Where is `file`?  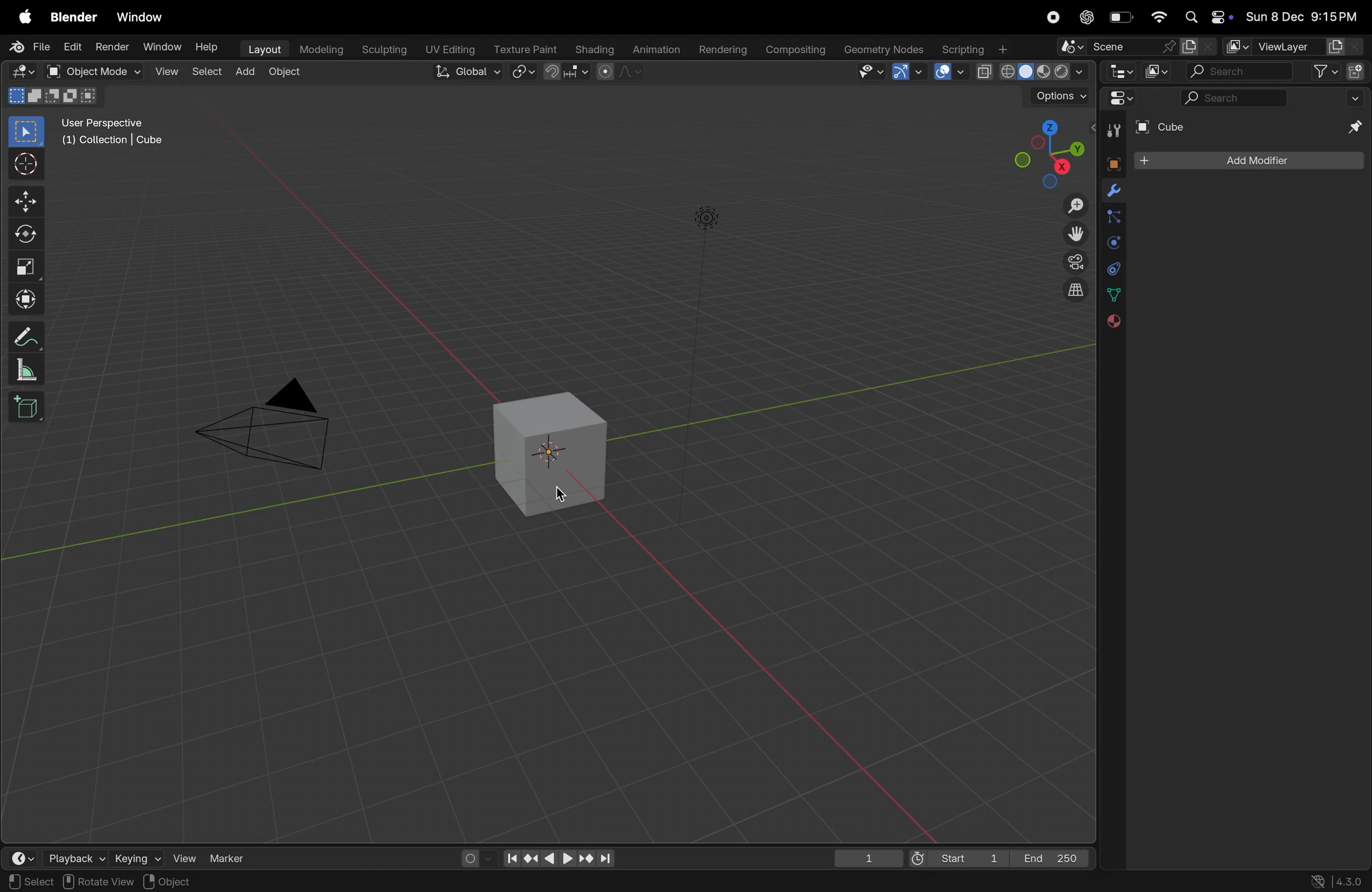
file is located at coordinates (32, 47).